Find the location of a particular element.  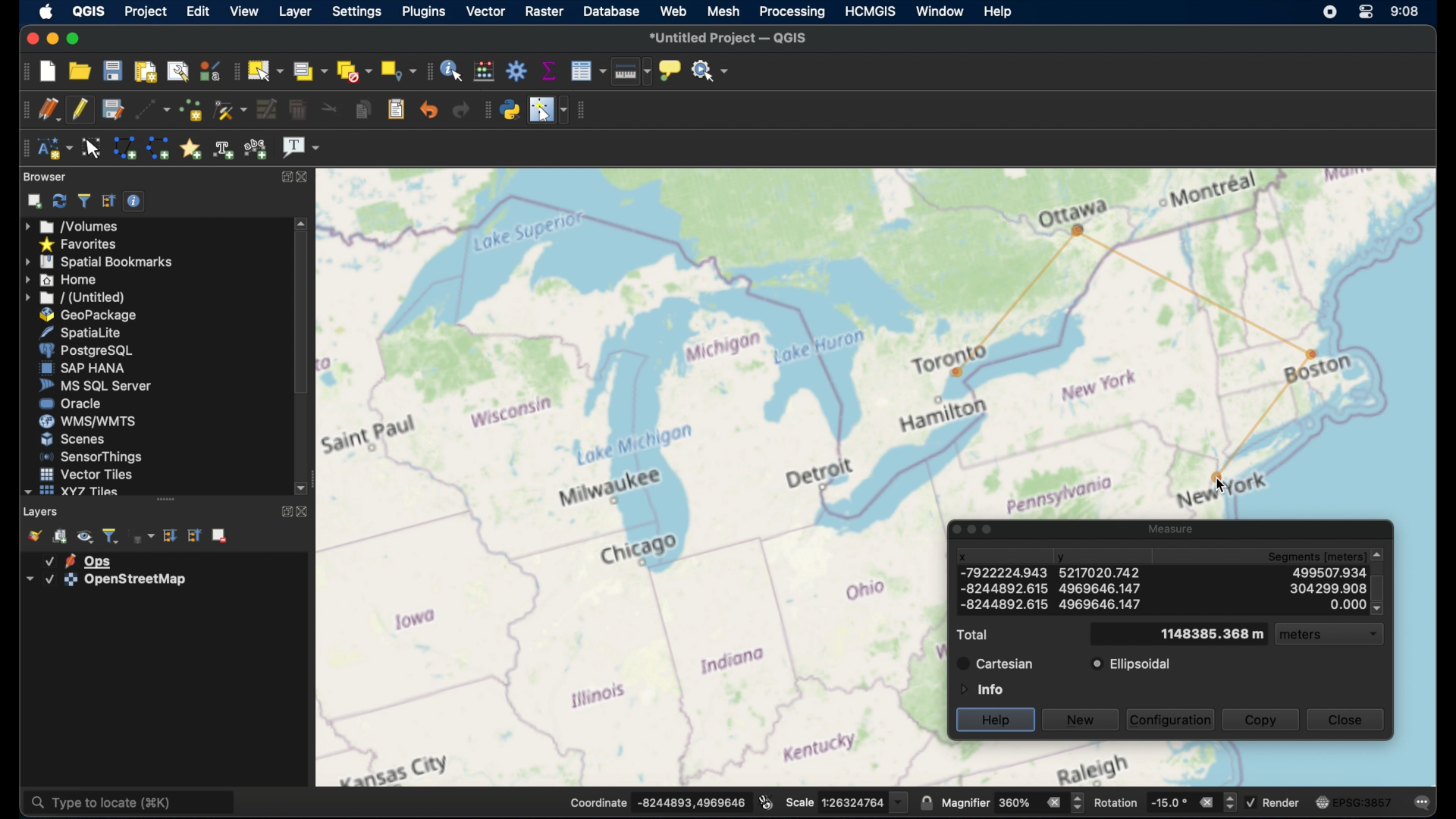

scenes is located at coordinates (72, 439).